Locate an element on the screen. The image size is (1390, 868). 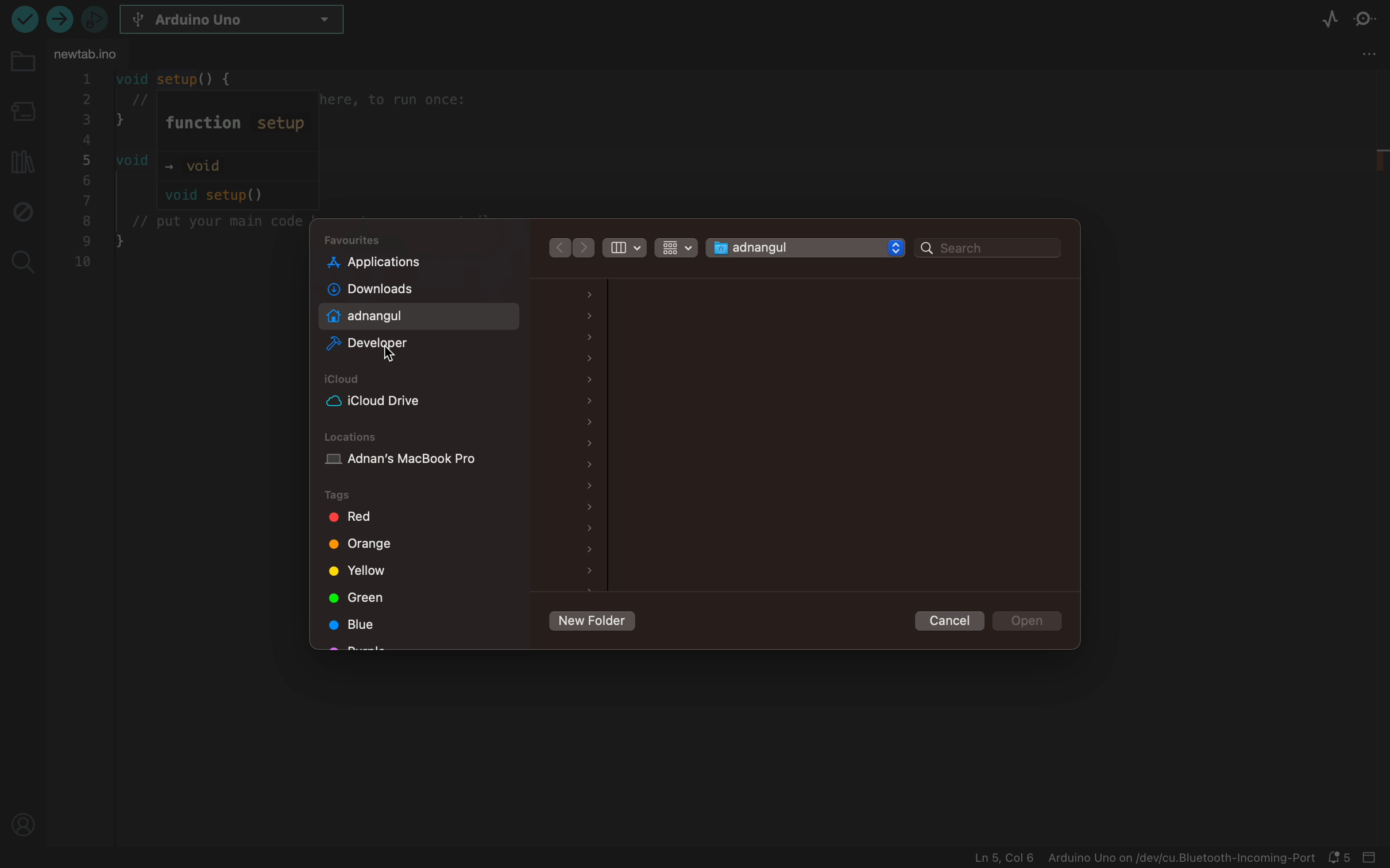
arrows is located at coordinates (557, 247).